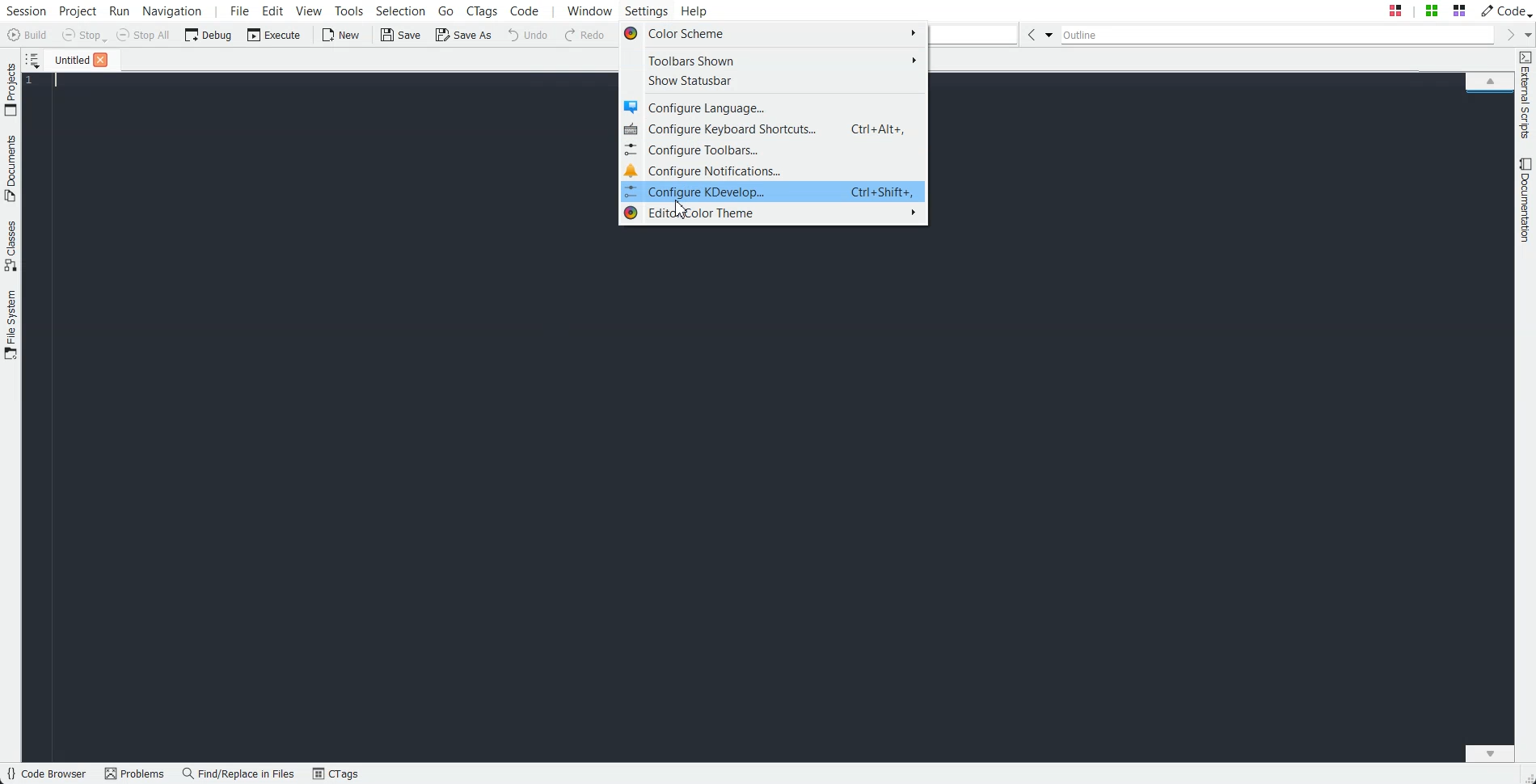  What do you see at coordinates (144, 35) in the screenshot?
I see `Stop All` at bounding box center [144, 35].